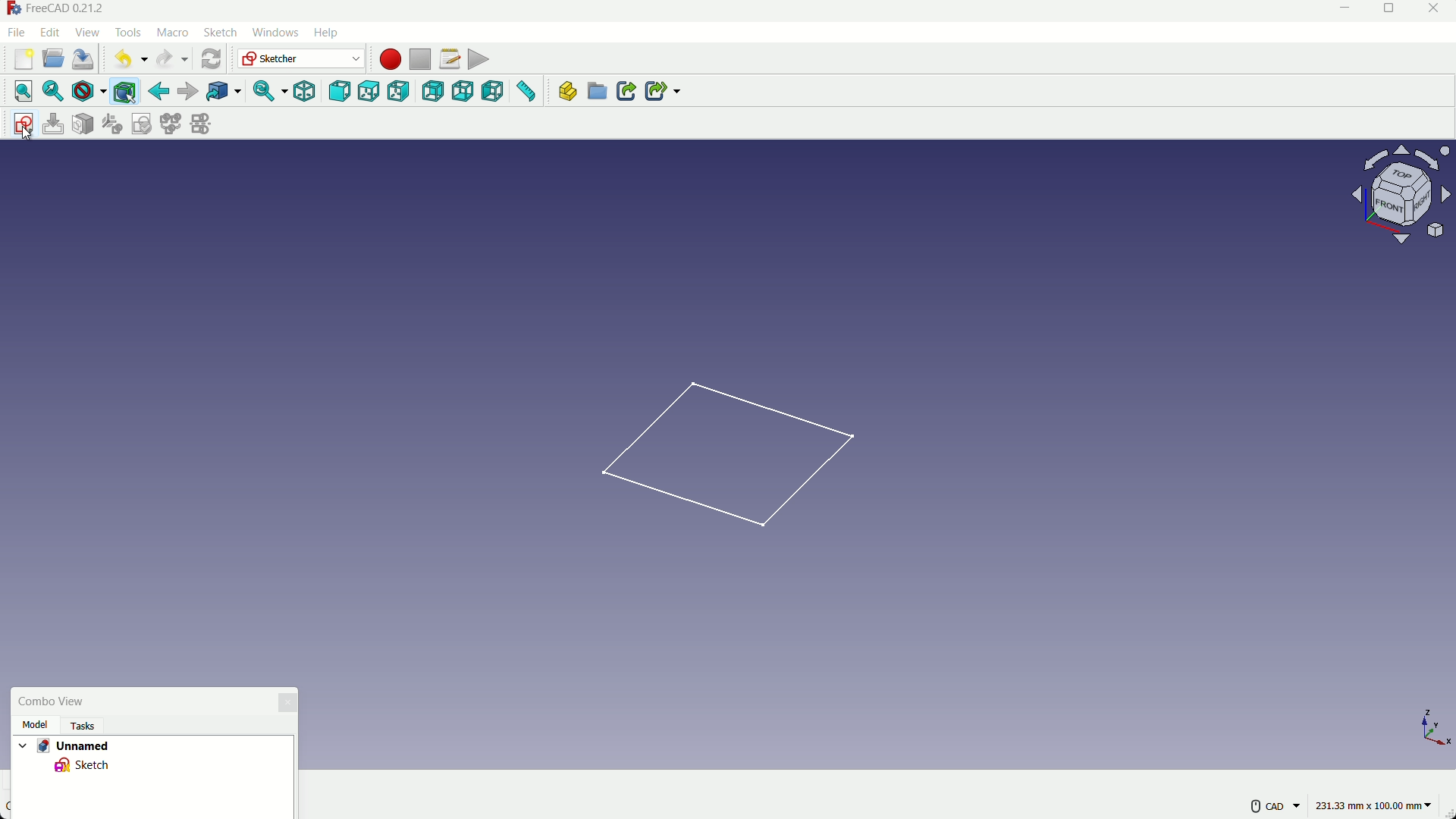  I want to click on undo, so click(127, 58).